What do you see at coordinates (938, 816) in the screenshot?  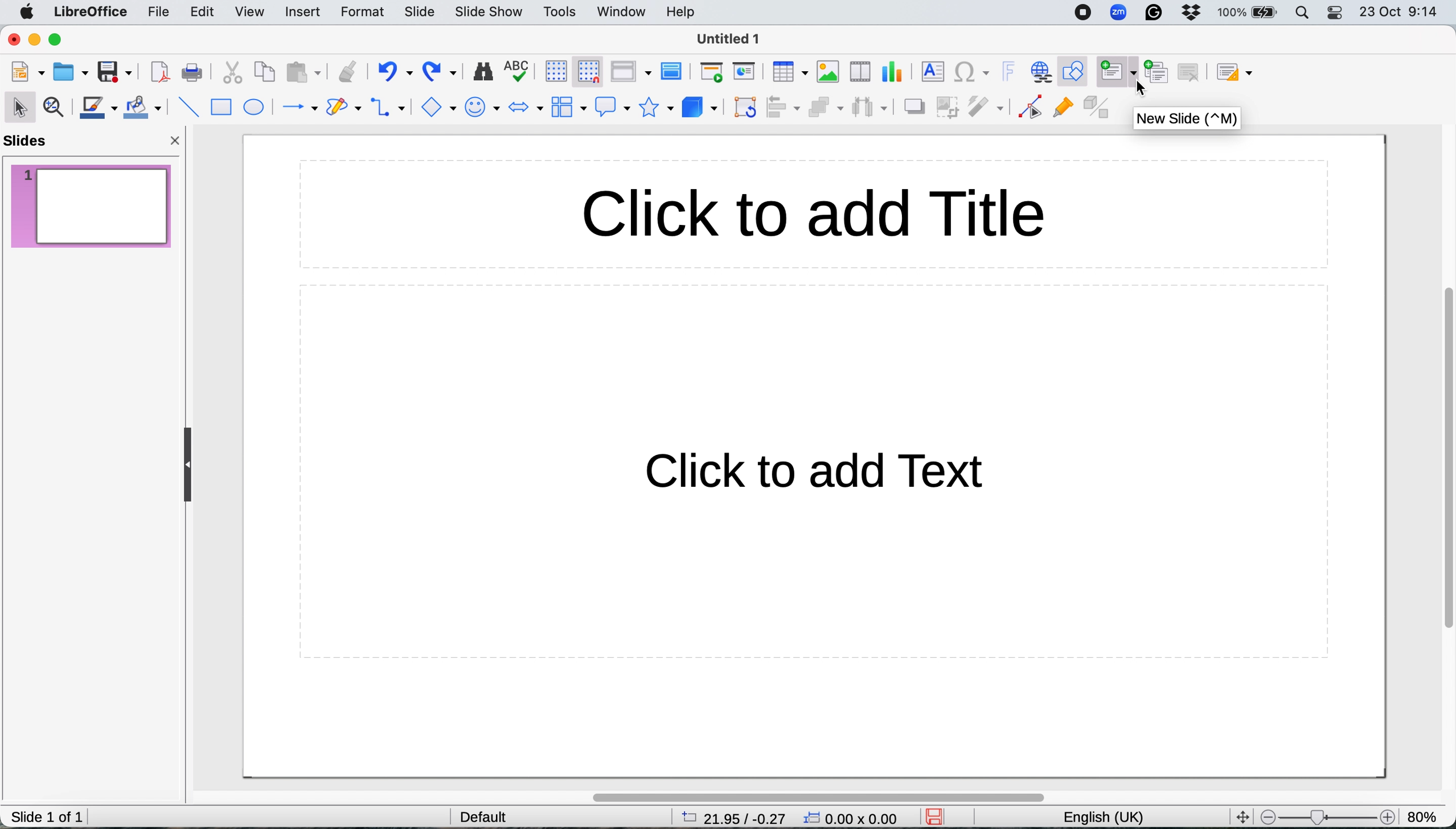 I see `save` at bounding box center [938, 816].